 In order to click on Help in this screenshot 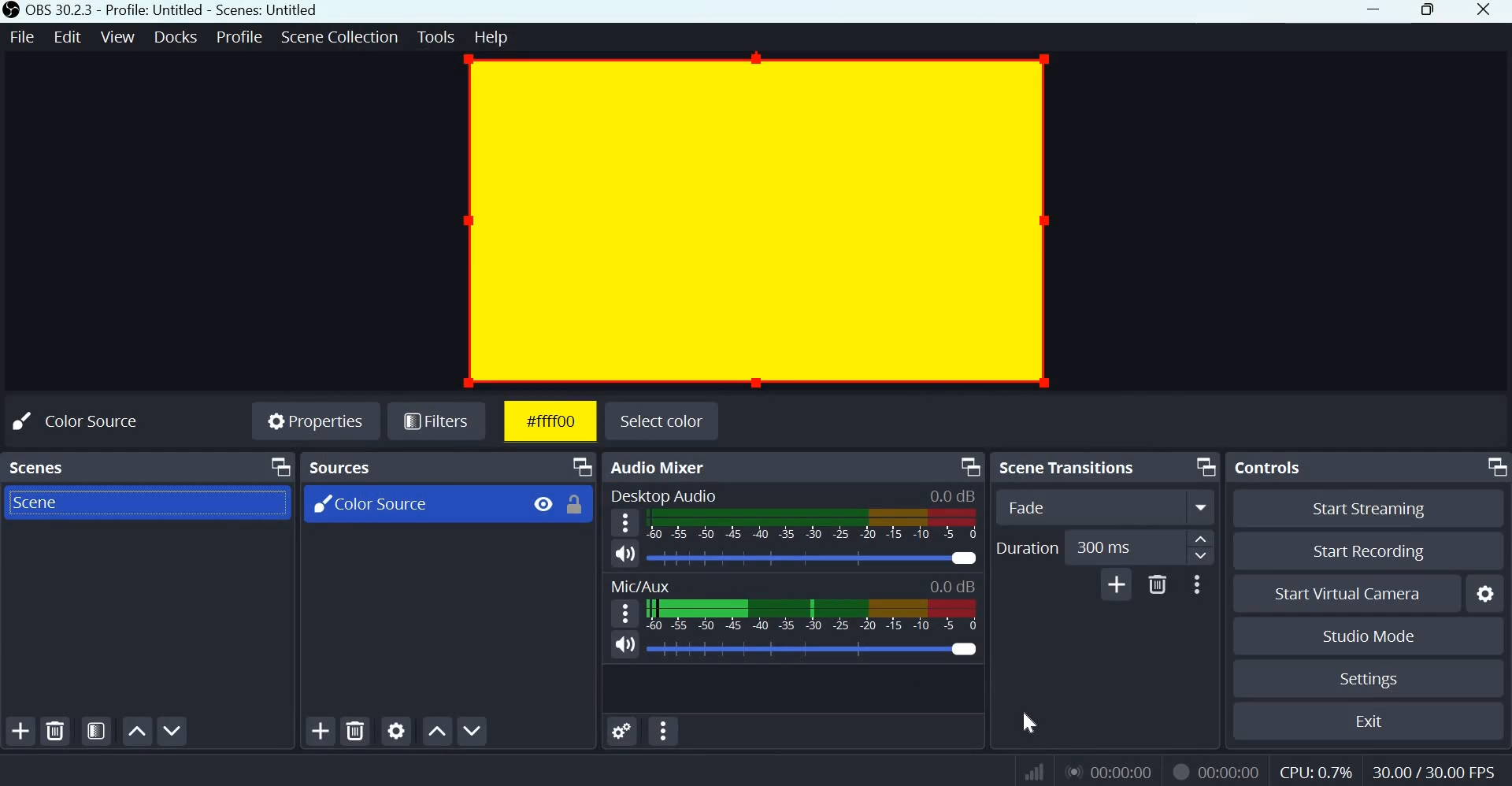, I will do `click(495, 38)`.